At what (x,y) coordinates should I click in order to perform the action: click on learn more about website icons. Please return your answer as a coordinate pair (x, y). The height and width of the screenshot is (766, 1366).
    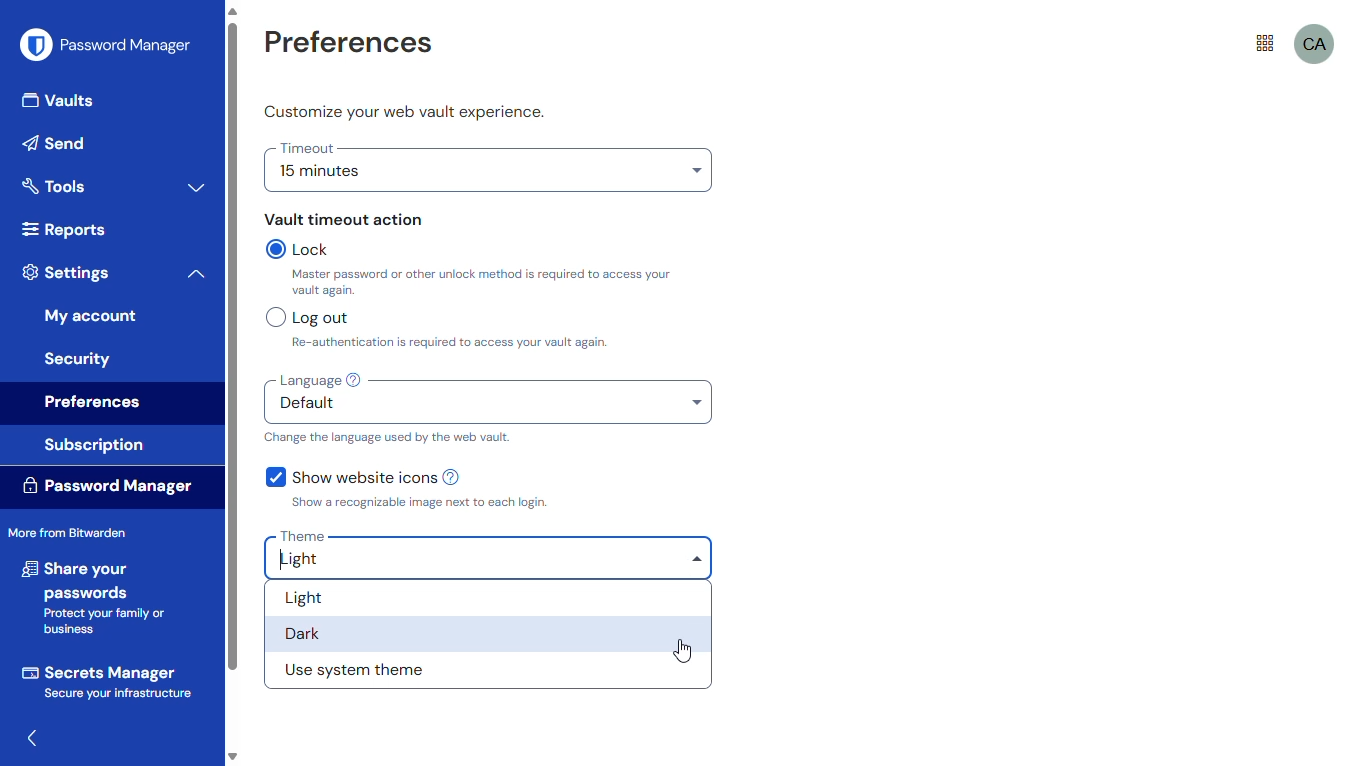
    Looking at the image, I should click on (456, 477).